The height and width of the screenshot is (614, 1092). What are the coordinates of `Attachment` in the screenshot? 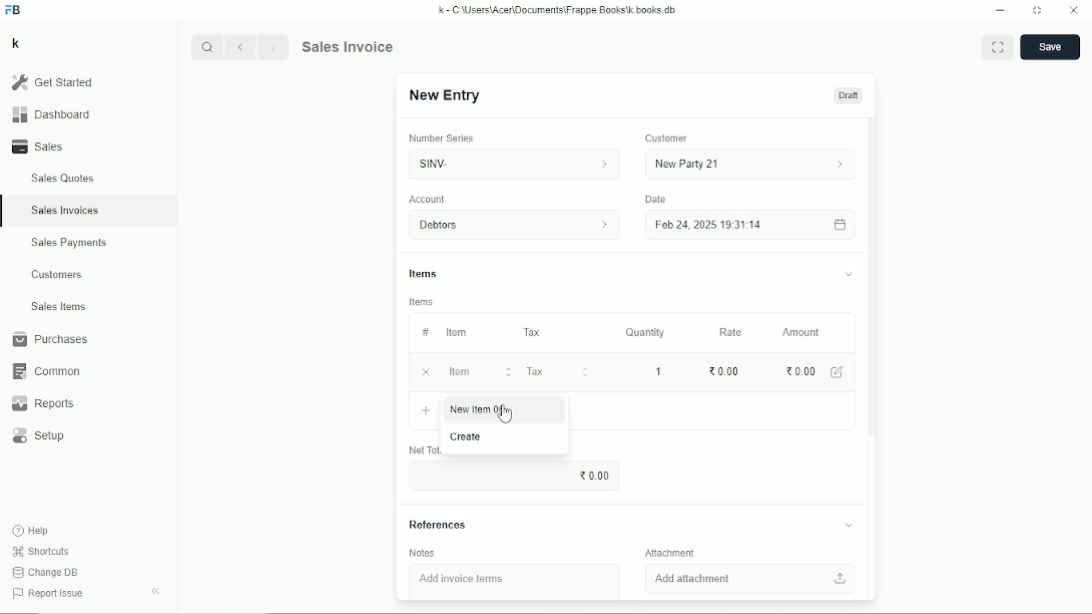 It's located at (671, 552).